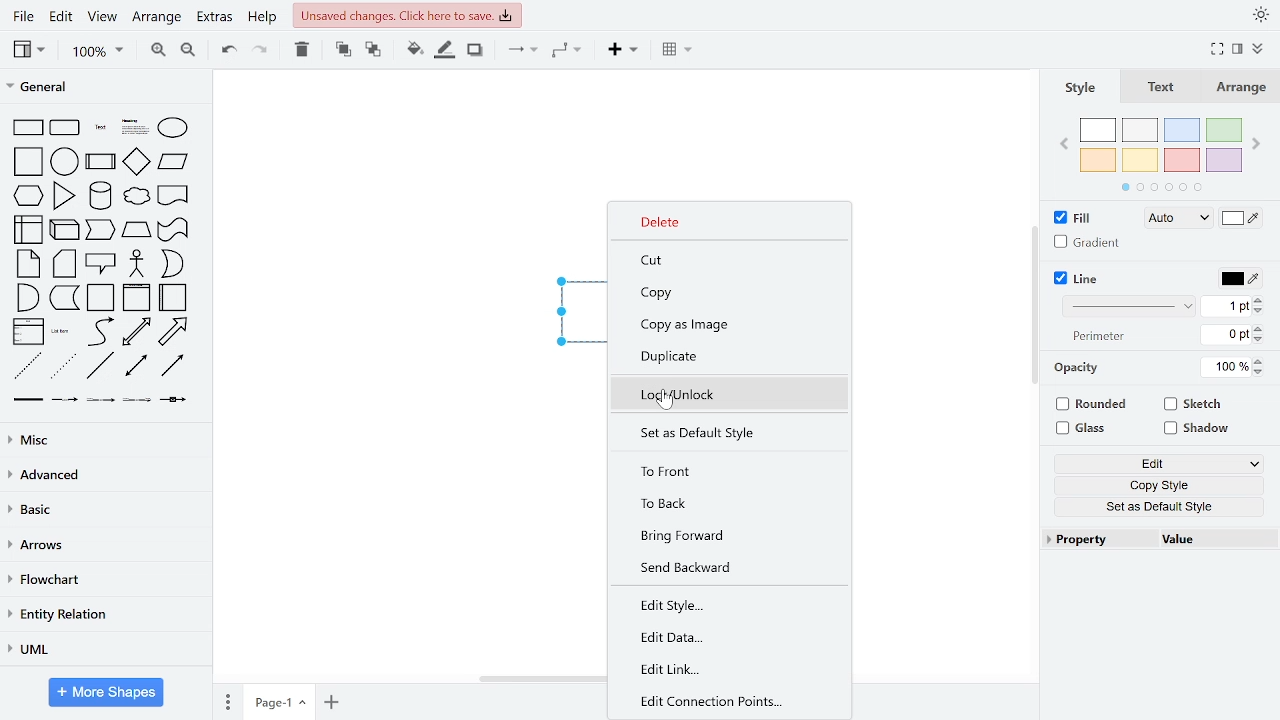  I want to click on misc, so click(102, 439).